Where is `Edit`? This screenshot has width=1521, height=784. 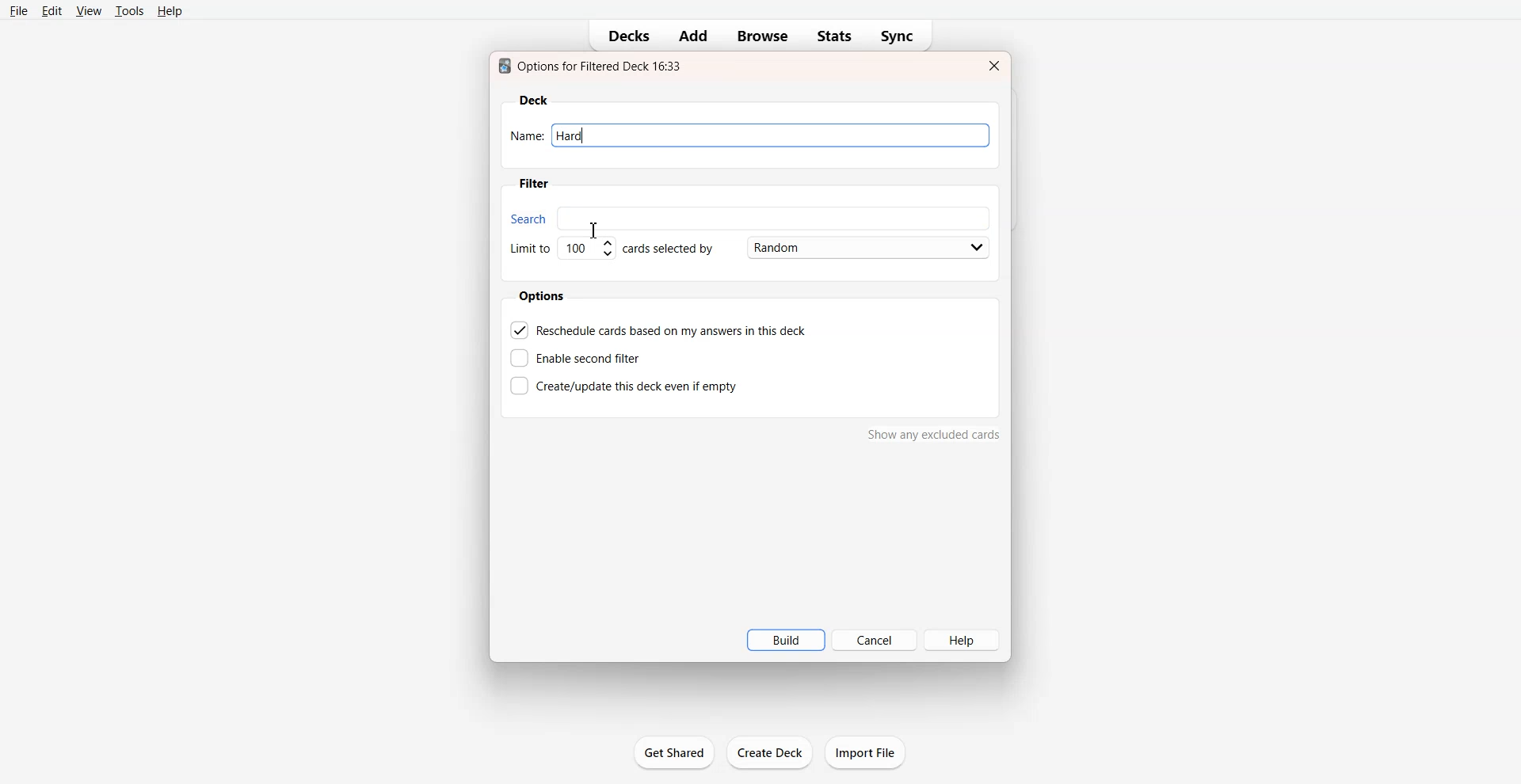 Edit is located at coordinates (53, 11).